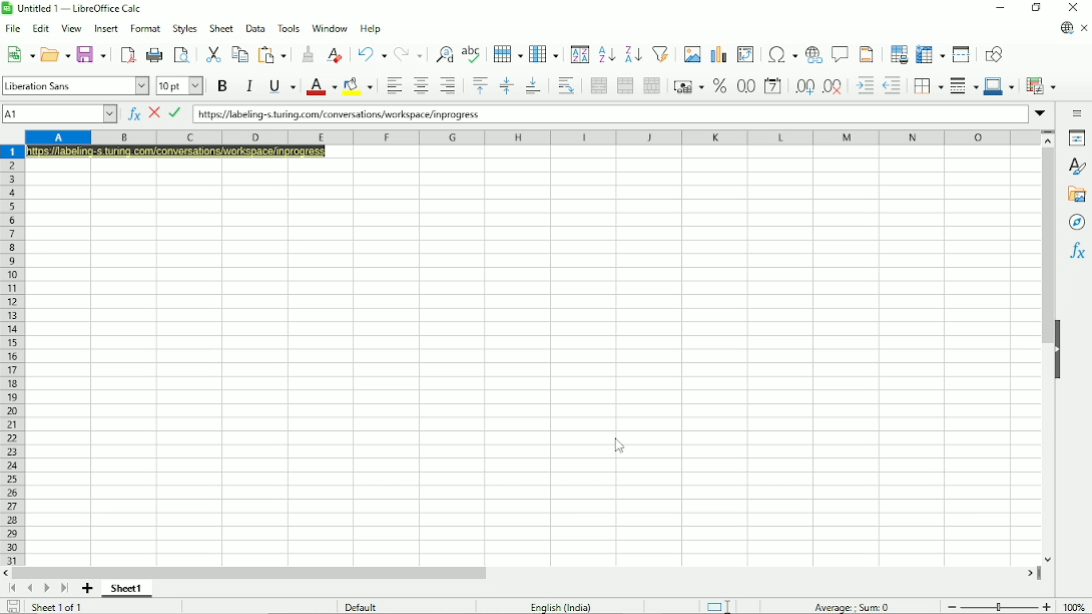 This screenshot has width=1092, height=614. I want to click on format, so click(145, 26).